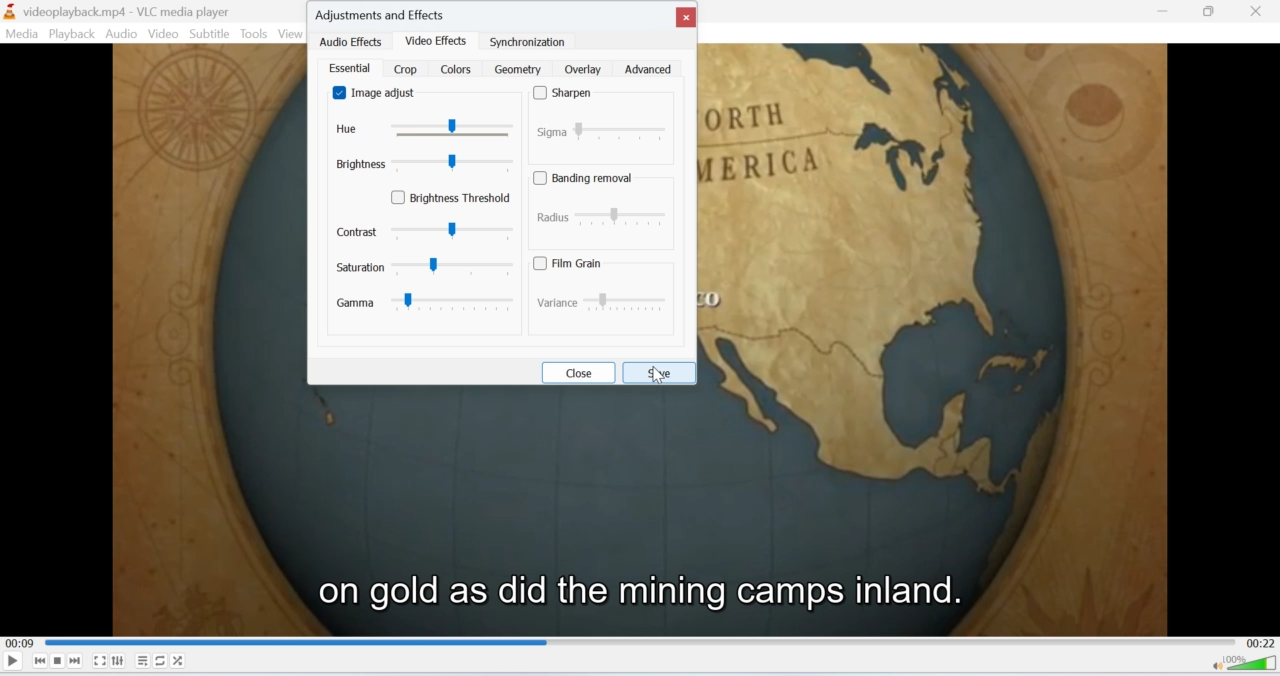 The image size is (1280, 676). I want to click on Tools, so click(255, 34).